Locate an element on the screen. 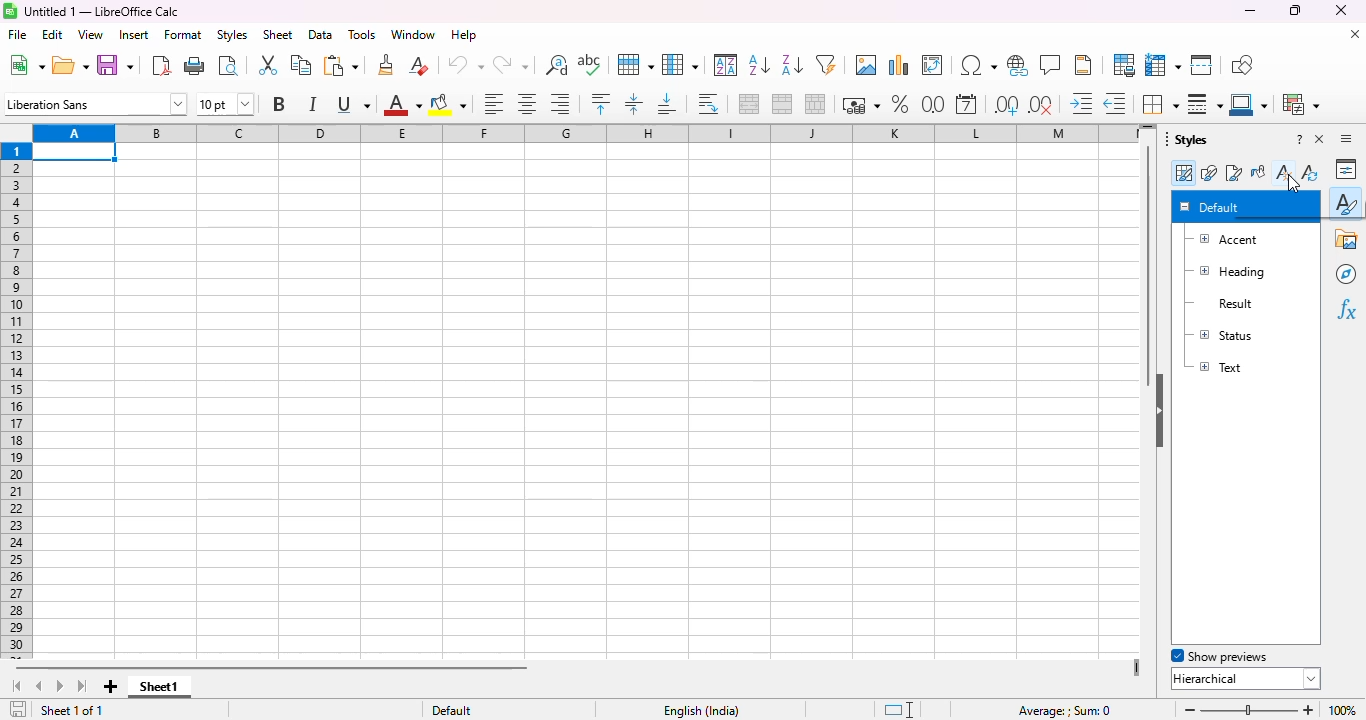 The height and width of the screenshot is (720, 1366). insert comment is located at coordinates (1051, 64).